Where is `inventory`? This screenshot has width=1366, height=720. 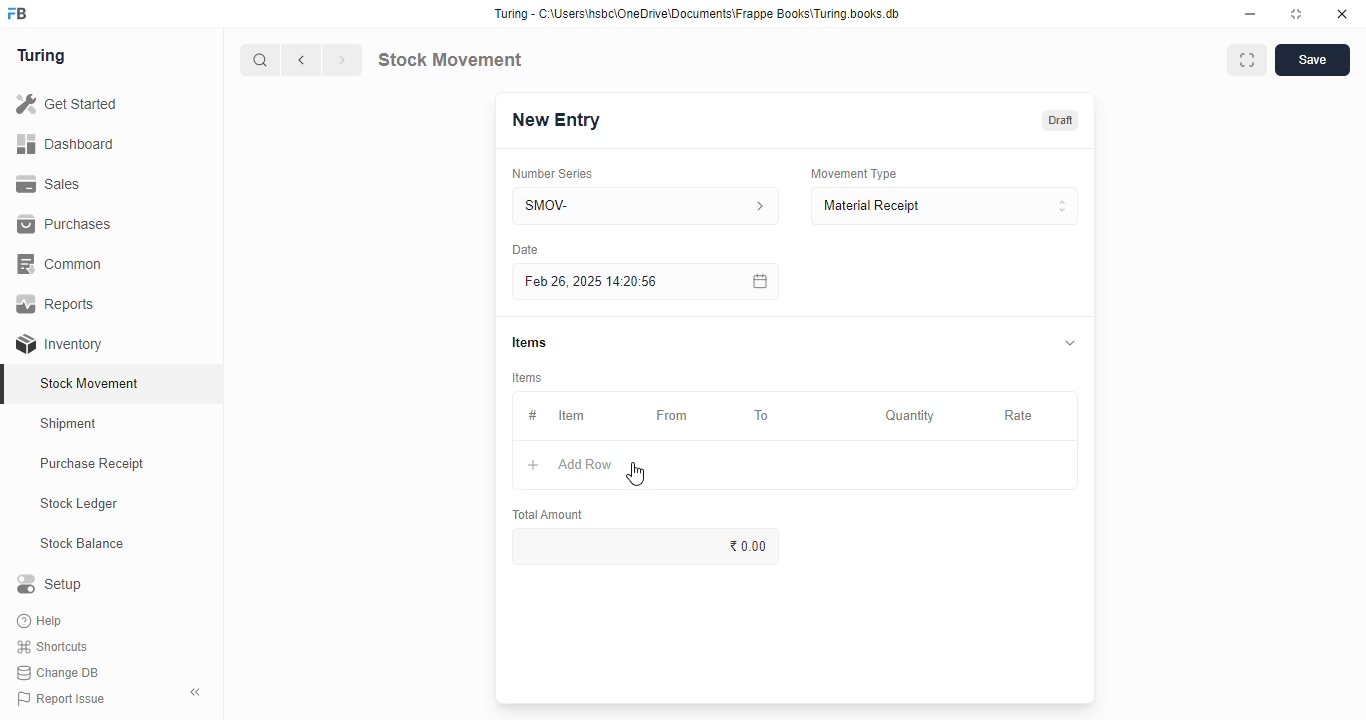 inventory is located at coordinates (59, 344).